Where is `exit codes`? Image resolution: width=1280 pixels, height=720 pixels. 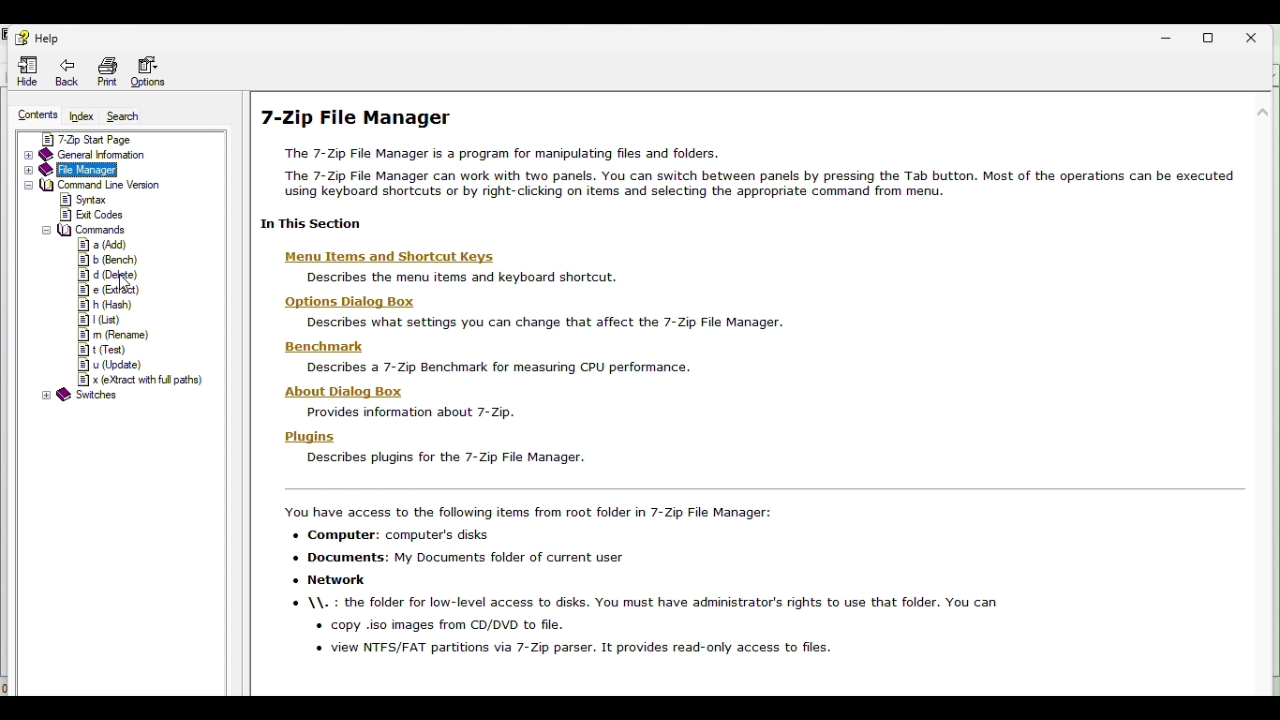 exit codes is located at coordinates (92, 216).